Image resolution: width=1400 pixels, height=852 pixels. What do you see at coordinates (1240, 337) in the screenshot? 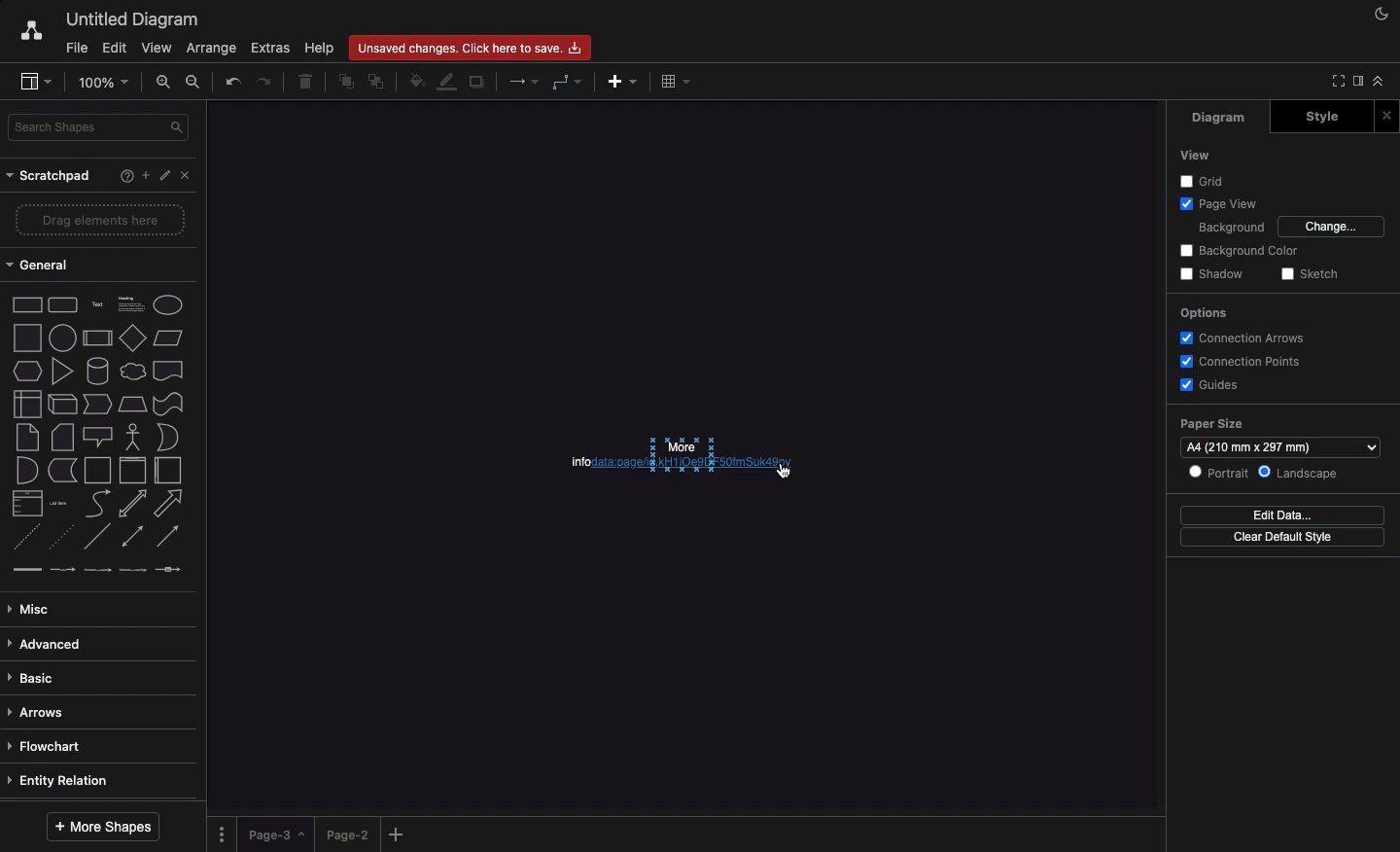
I see `Connection arrows` at bounding box center [1240, 337].